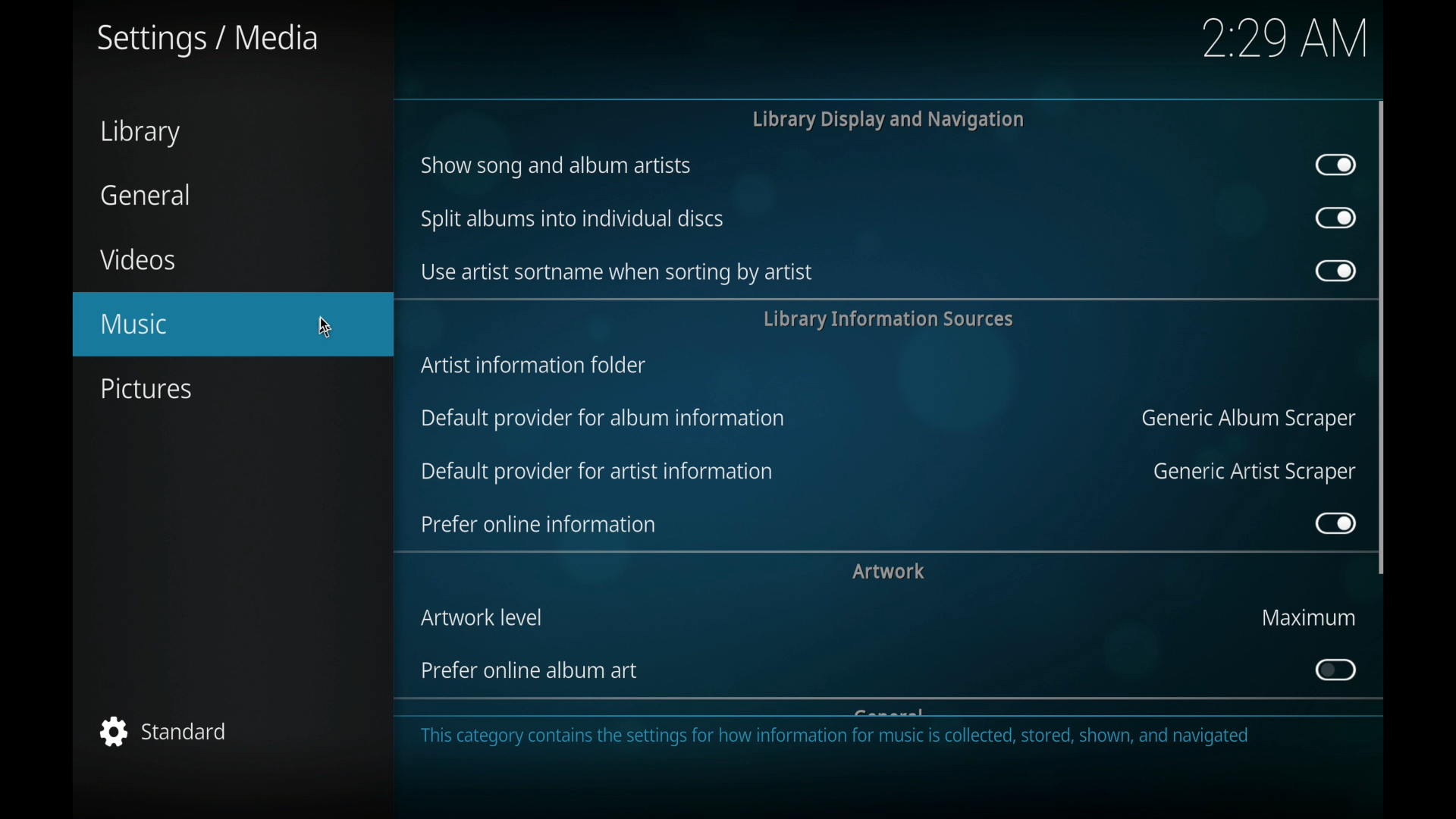 The width and height of the screenshot is (1456, 819). What do you see at coordinates (886, 119) in the screenshot?
I see `library display and navigation` at bounding box center [886, 119].